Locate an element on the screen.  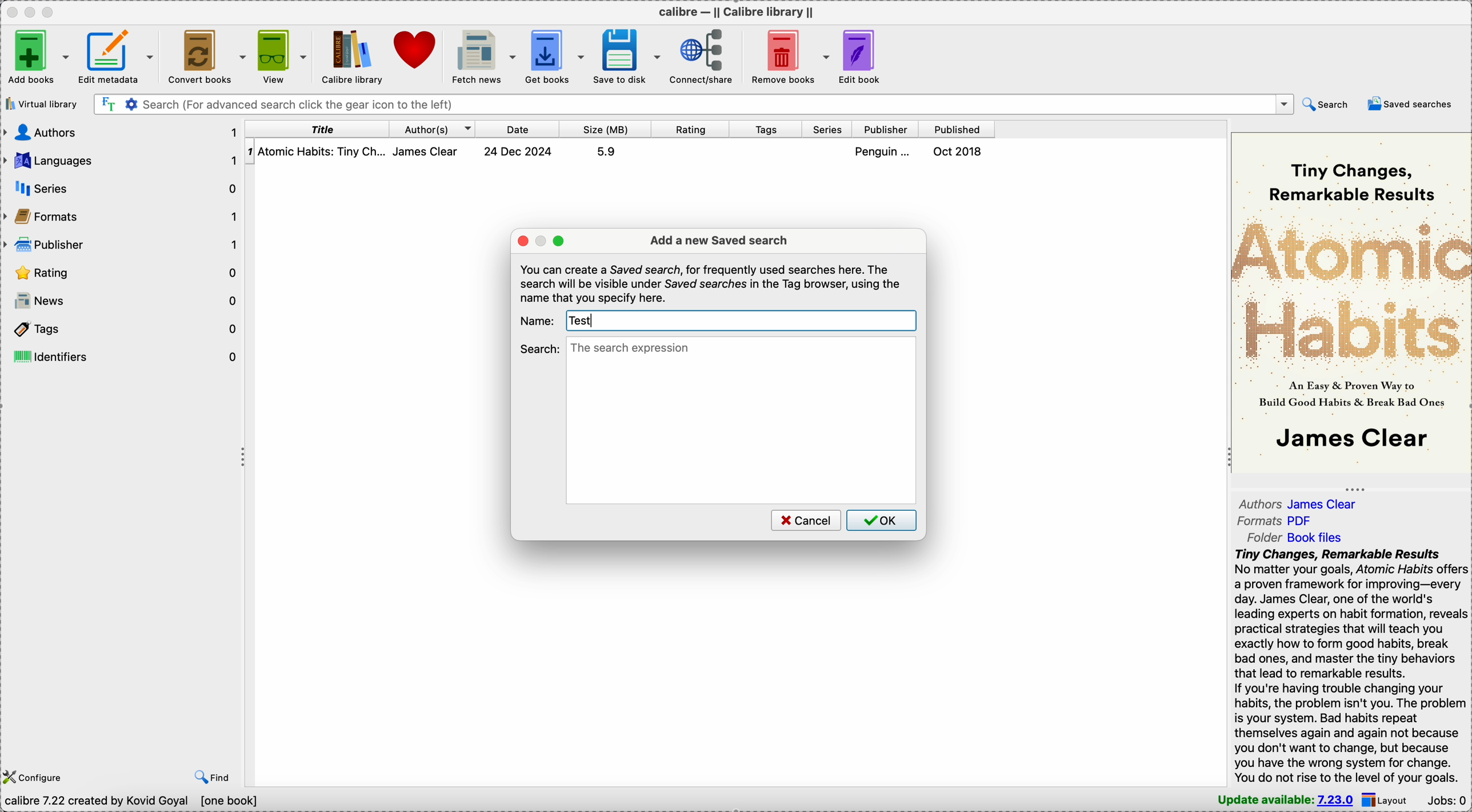
publisher is located at coordinates (122, 246).